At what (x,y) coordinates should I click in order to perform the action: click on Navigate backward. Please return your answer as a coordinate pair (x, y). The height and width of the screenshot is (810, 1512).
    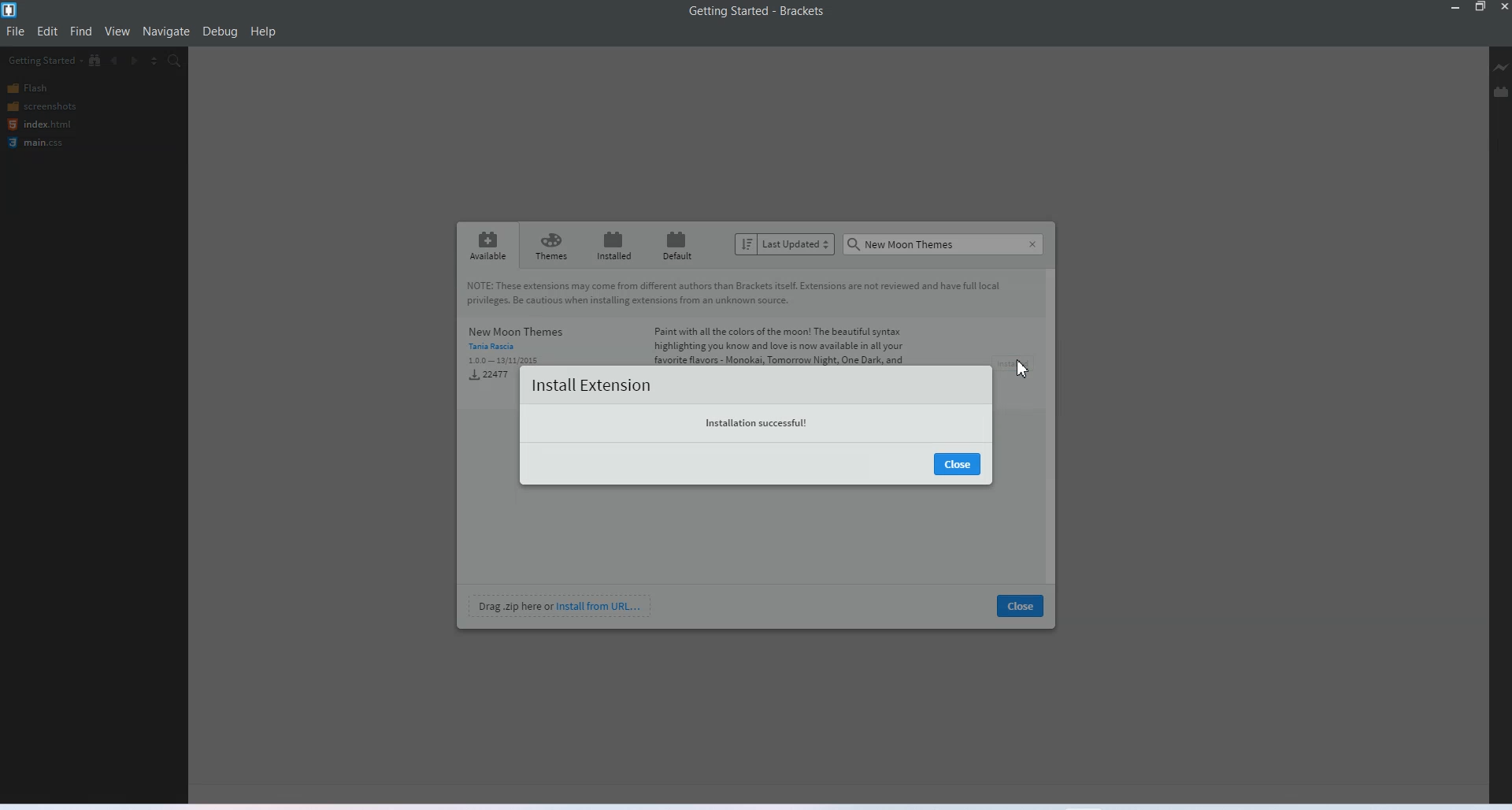
    Looking at the image, I should click on (116, 60).